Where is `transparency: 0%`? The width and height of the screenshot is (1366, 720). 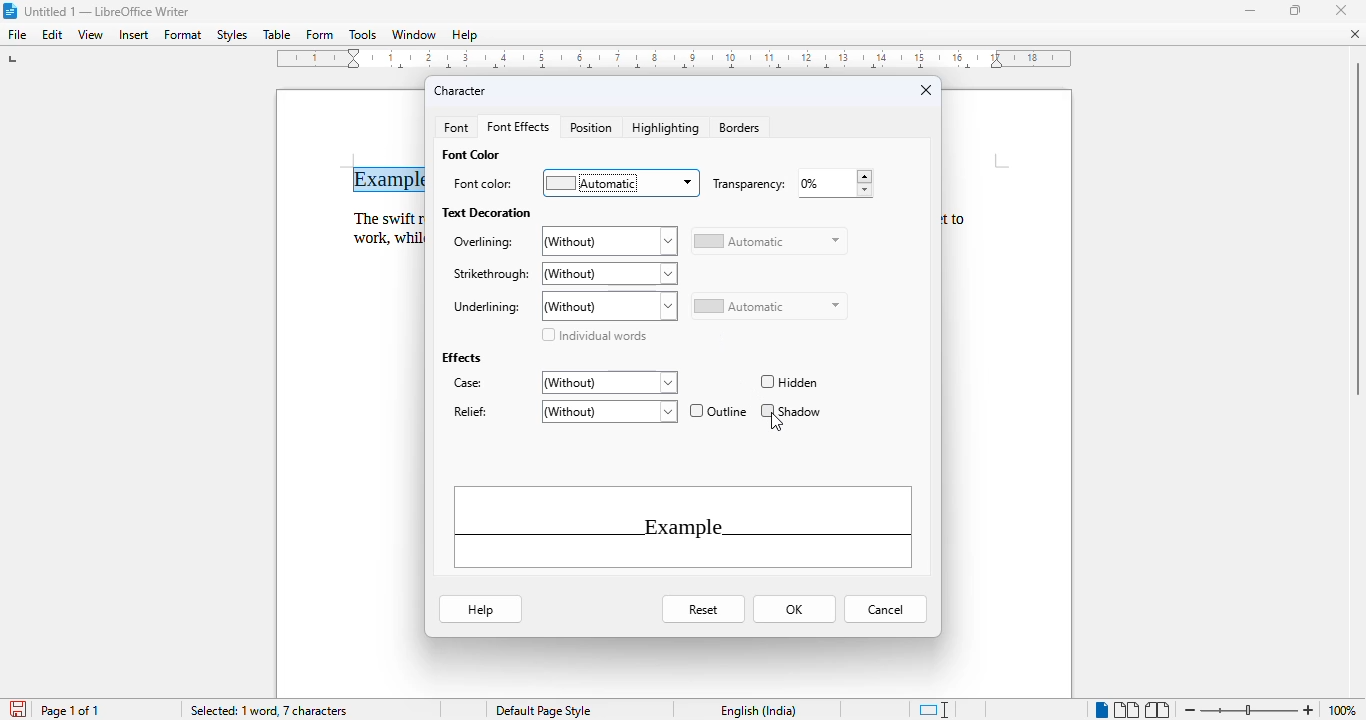 transparency: 0% is located at coordinates (790, 184).